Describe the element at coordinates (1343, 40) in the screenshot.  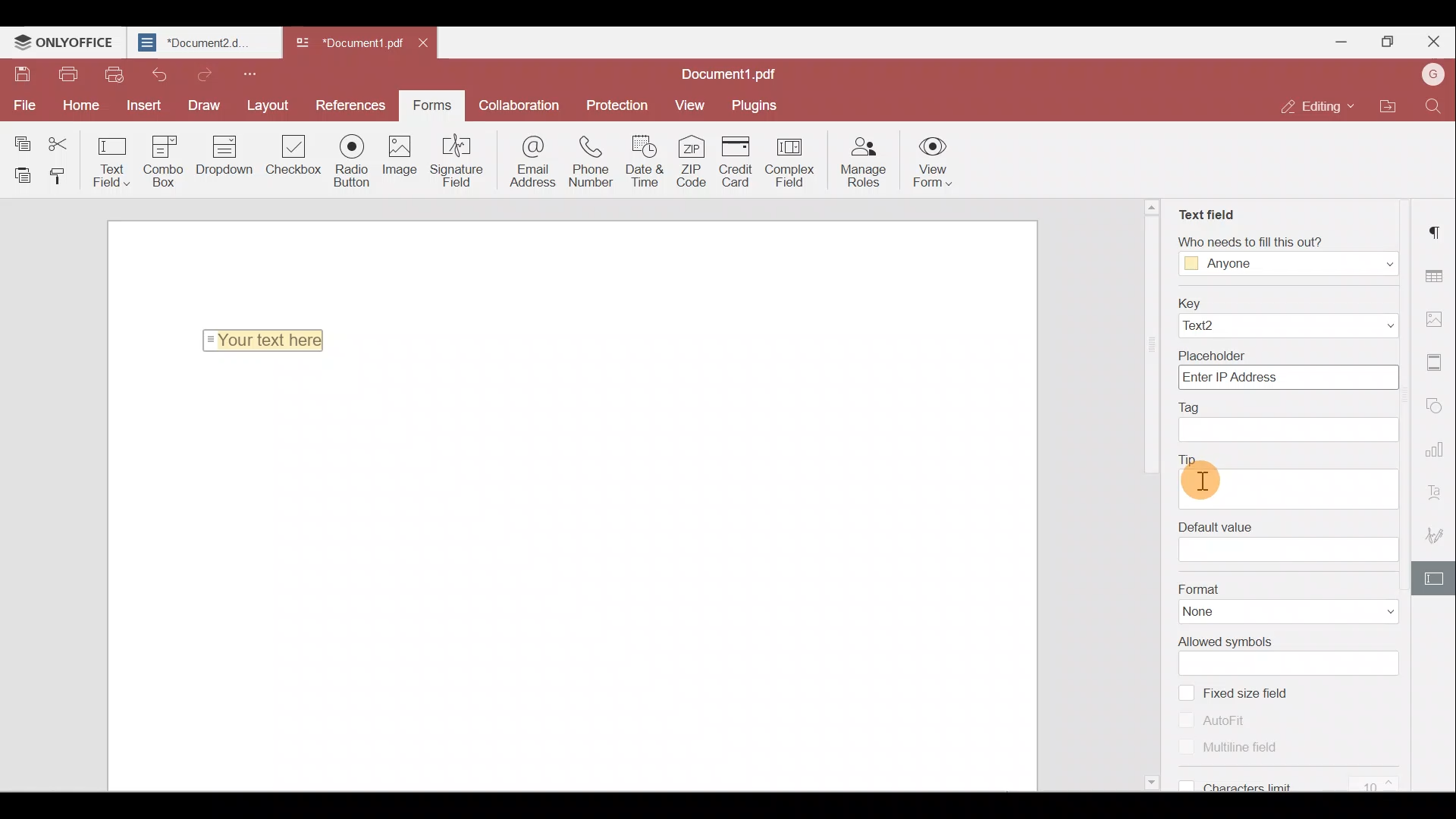
I see `Minimize` at that location.